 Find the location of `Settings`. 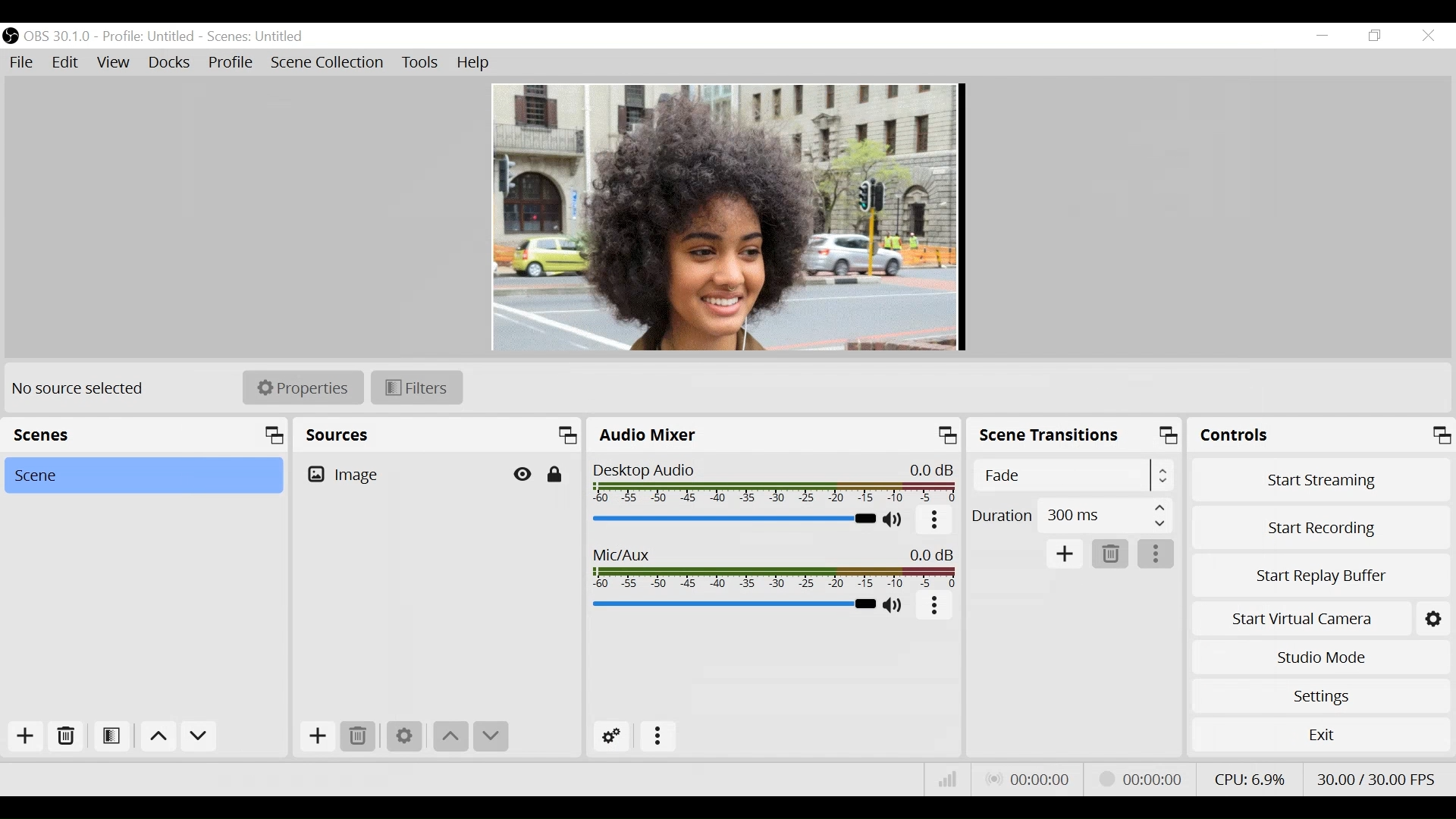

Settings is located at coordinates (403, 736).